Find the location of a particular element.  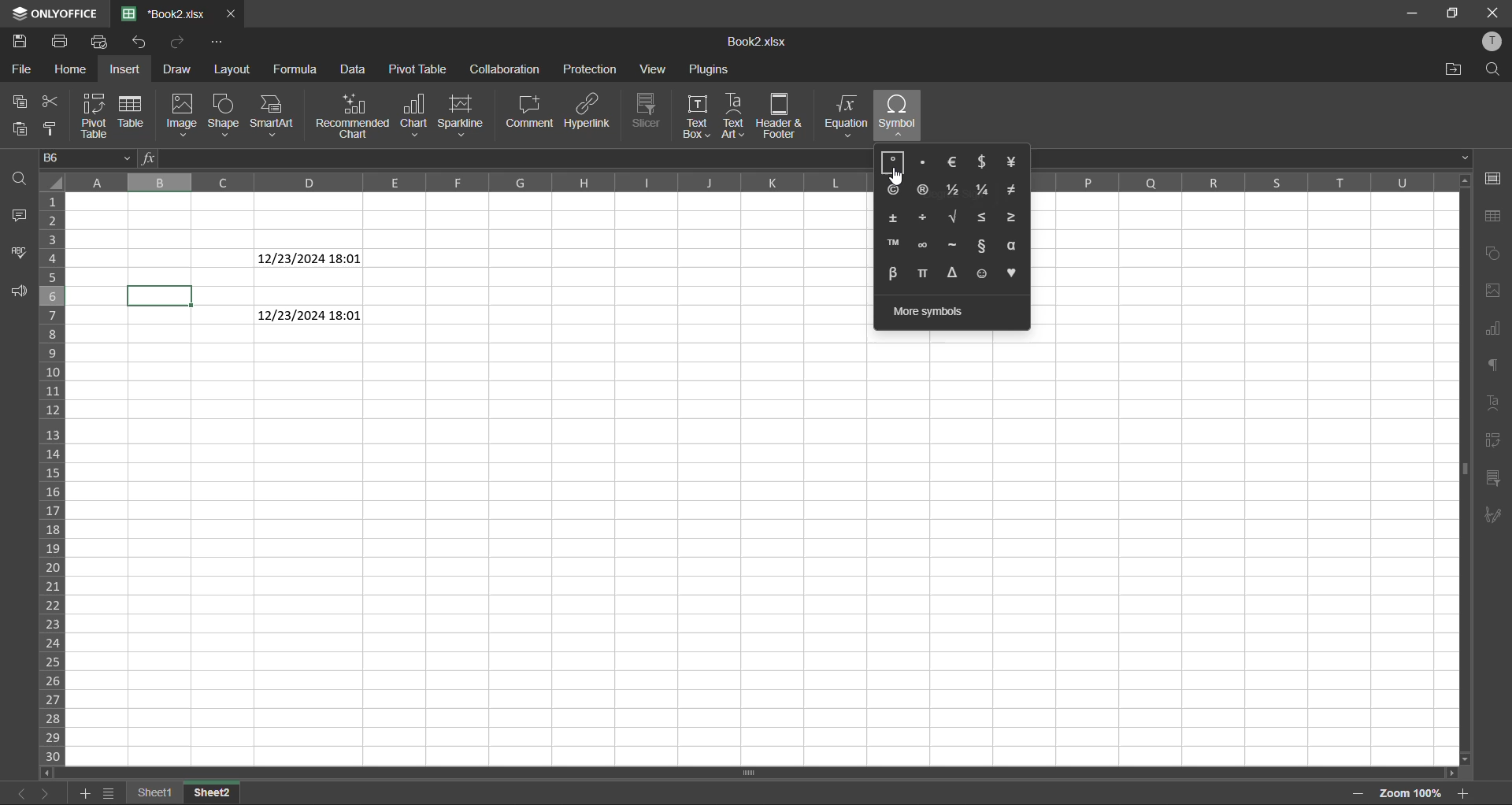

recommended chart is located at coordinates (349, 117).